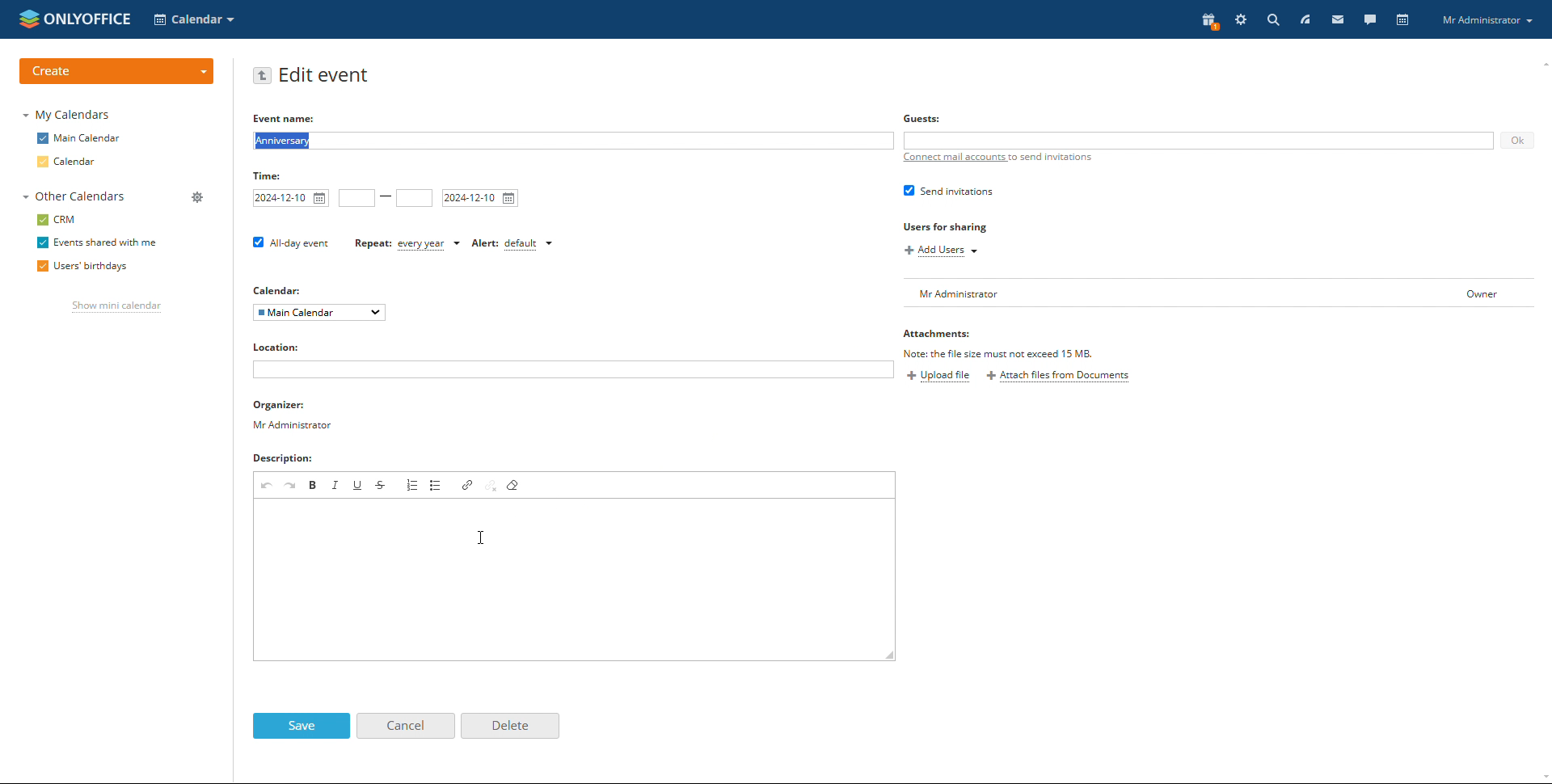 The width and height of the screenshot is (1552, 784). What do you see at coordinates (571, 141) in the screenshot?
I see `add event name` at bounding box center [571, 141].